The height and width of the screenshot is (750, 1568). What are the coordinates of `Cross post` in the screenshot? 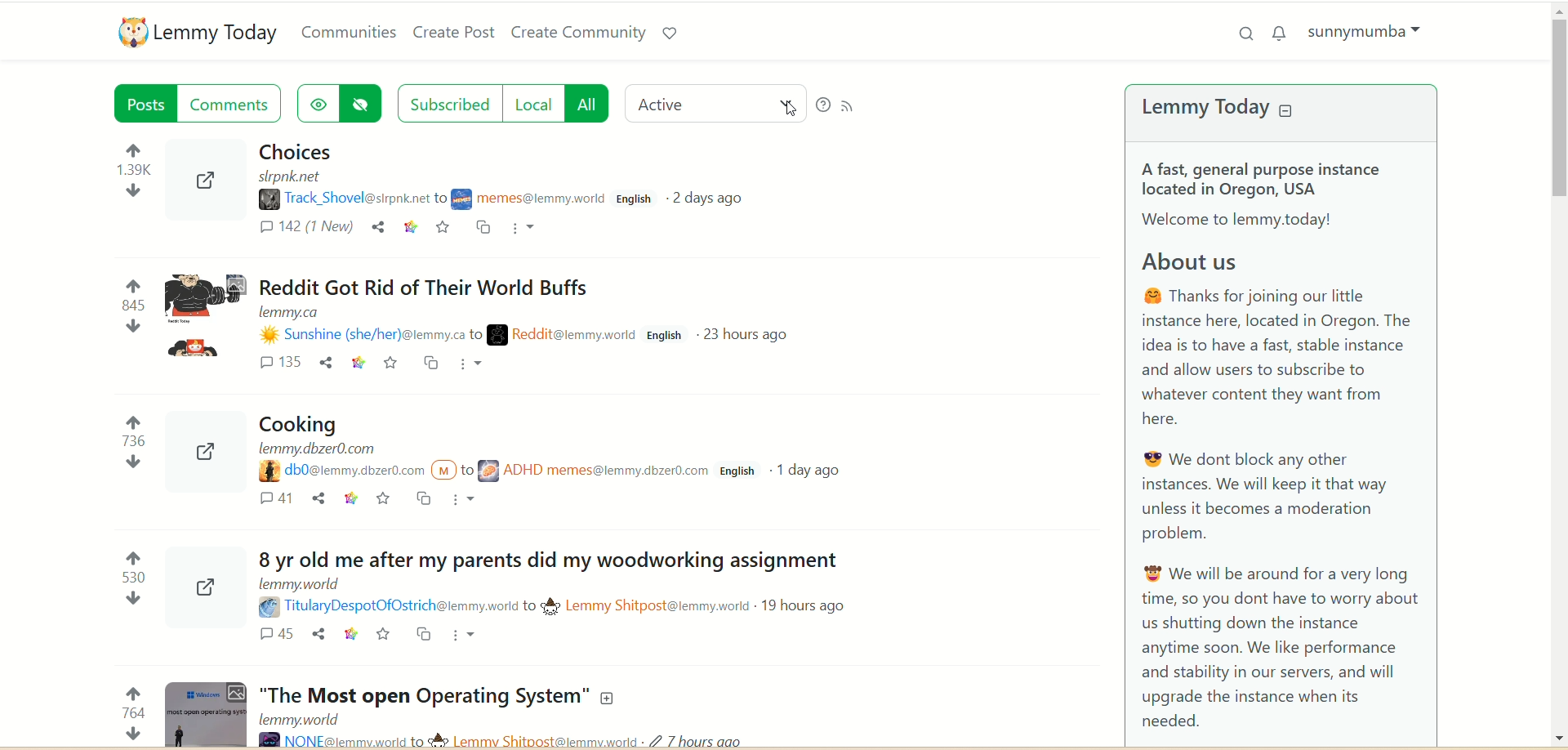 It's located at (430, 362).